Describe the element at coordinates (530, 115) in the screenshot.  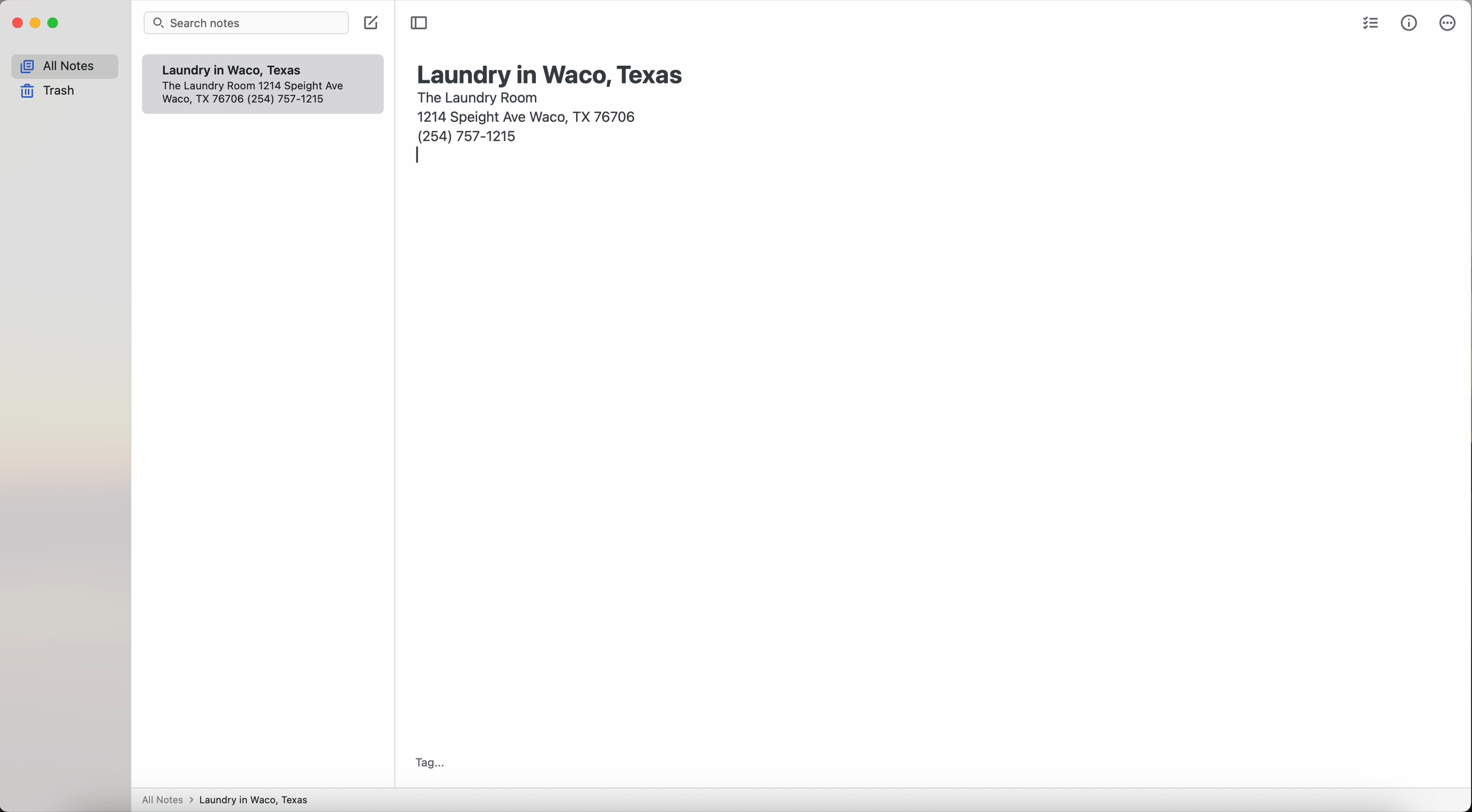
I see `1214 Speight Ave Waco, TX 76706` at that location.